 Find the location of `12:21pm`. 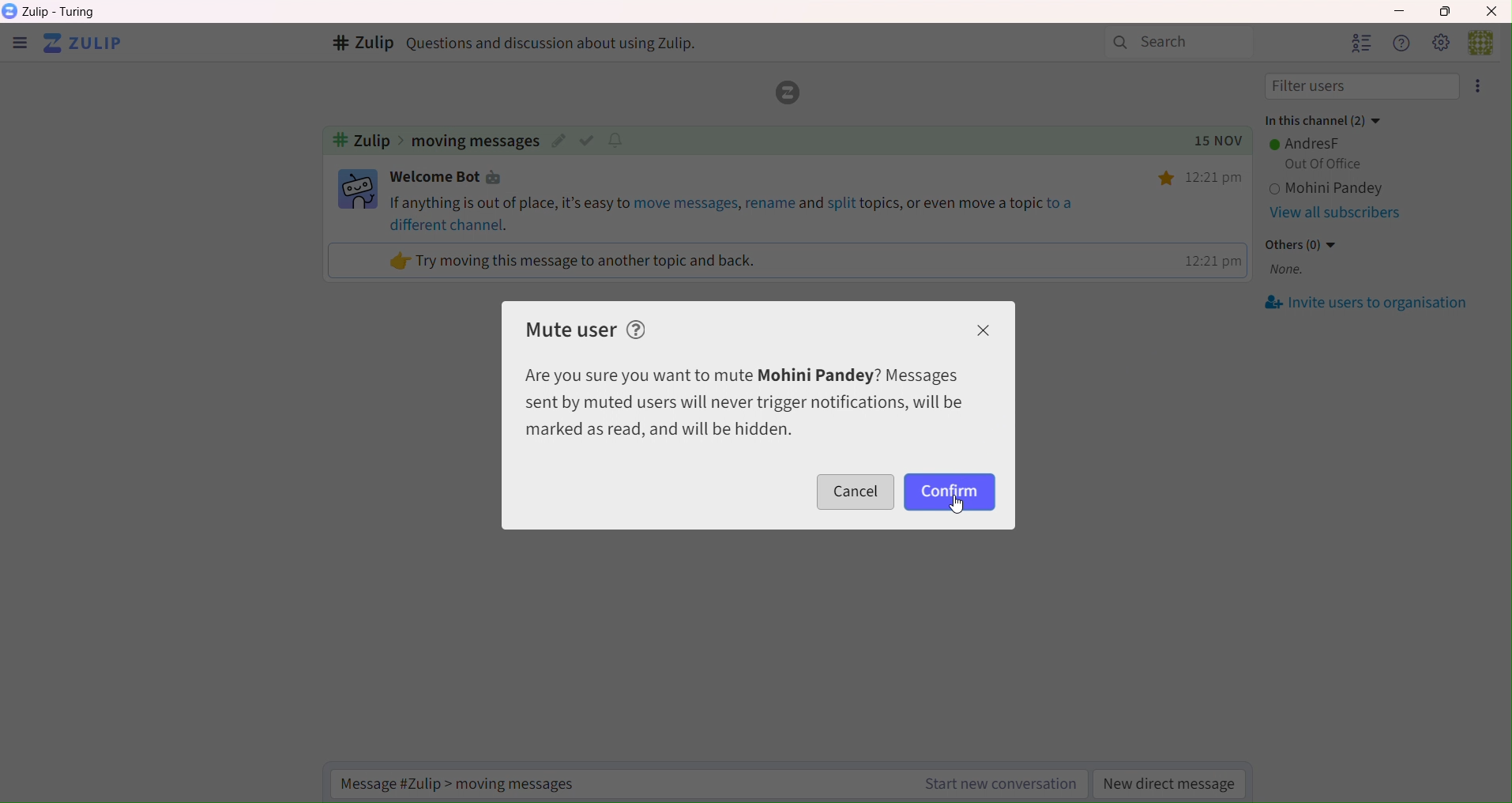

12:21pm is located at coordinates (1218, 177).